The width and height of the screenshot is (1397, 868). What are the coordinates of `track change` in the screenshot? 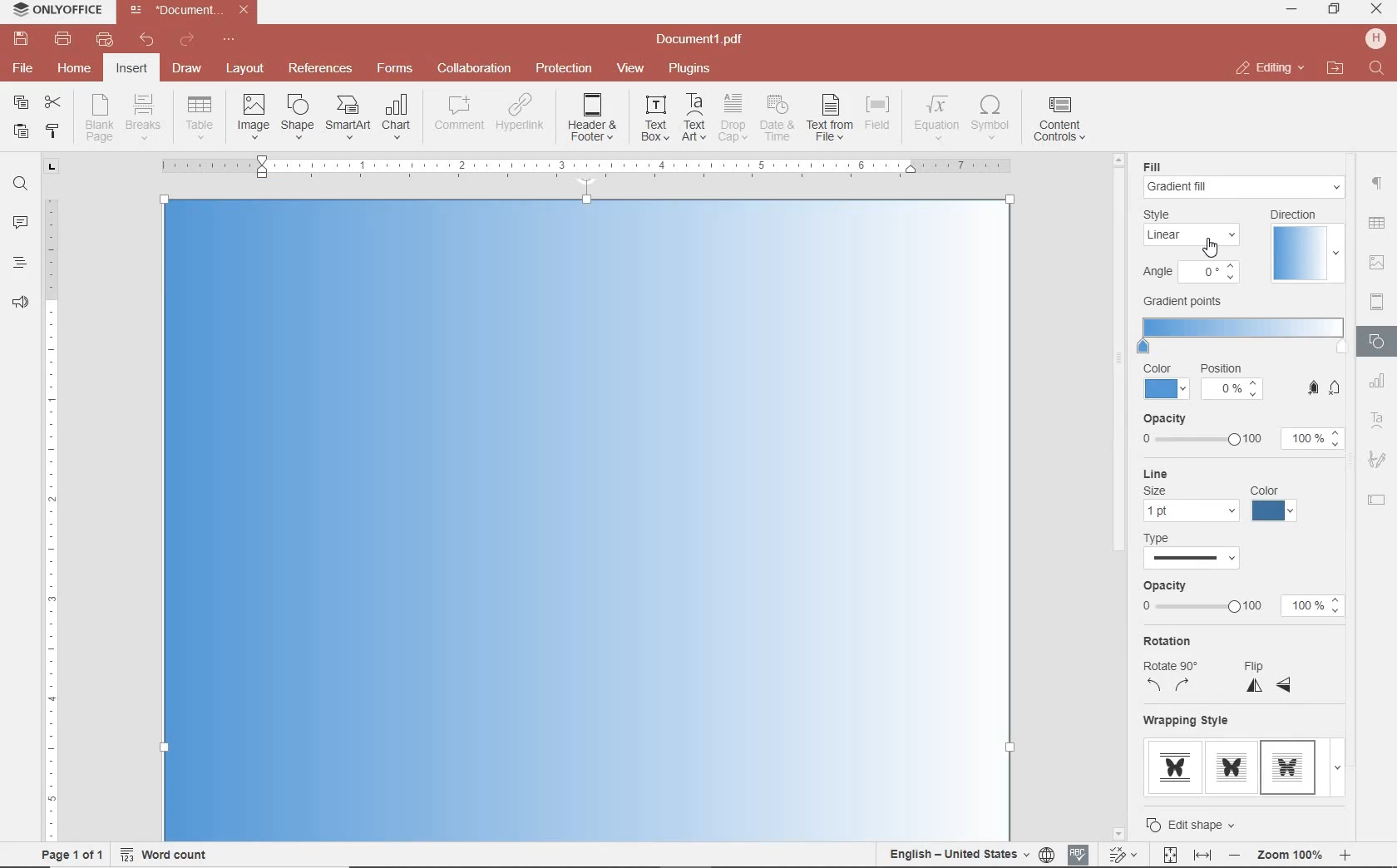 It's located at (1121, 856).